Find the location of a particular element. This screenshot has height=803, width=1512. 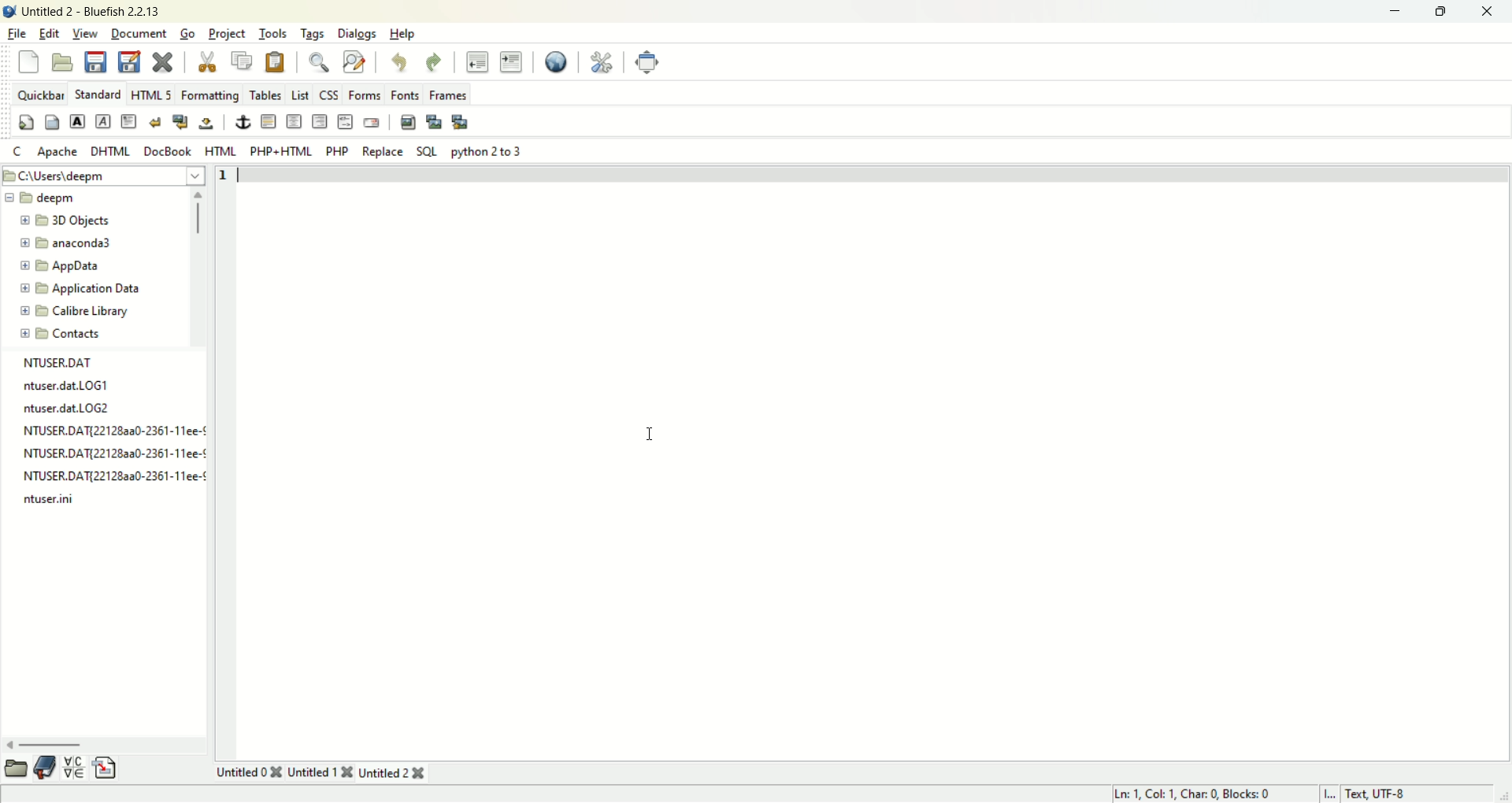

preview in browser is located at coordinates (558, 60).